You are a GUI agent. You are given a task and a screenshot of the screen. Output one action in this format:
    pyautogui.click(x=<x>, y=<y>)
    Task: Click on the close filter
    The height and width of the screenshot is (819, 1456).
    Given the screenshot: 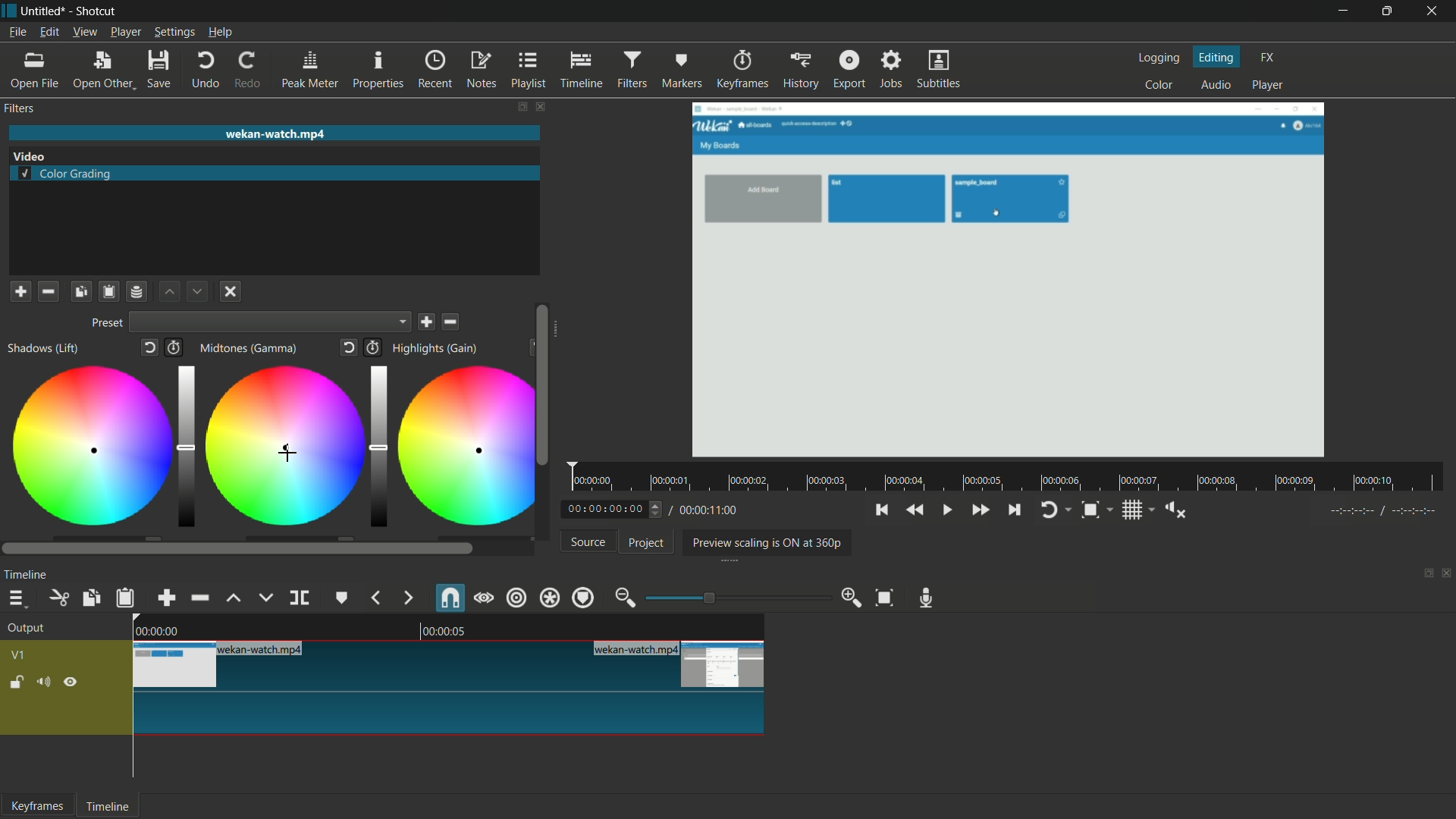 What is the action you would take?
    pyautogui.click(x=540, y=107)
    